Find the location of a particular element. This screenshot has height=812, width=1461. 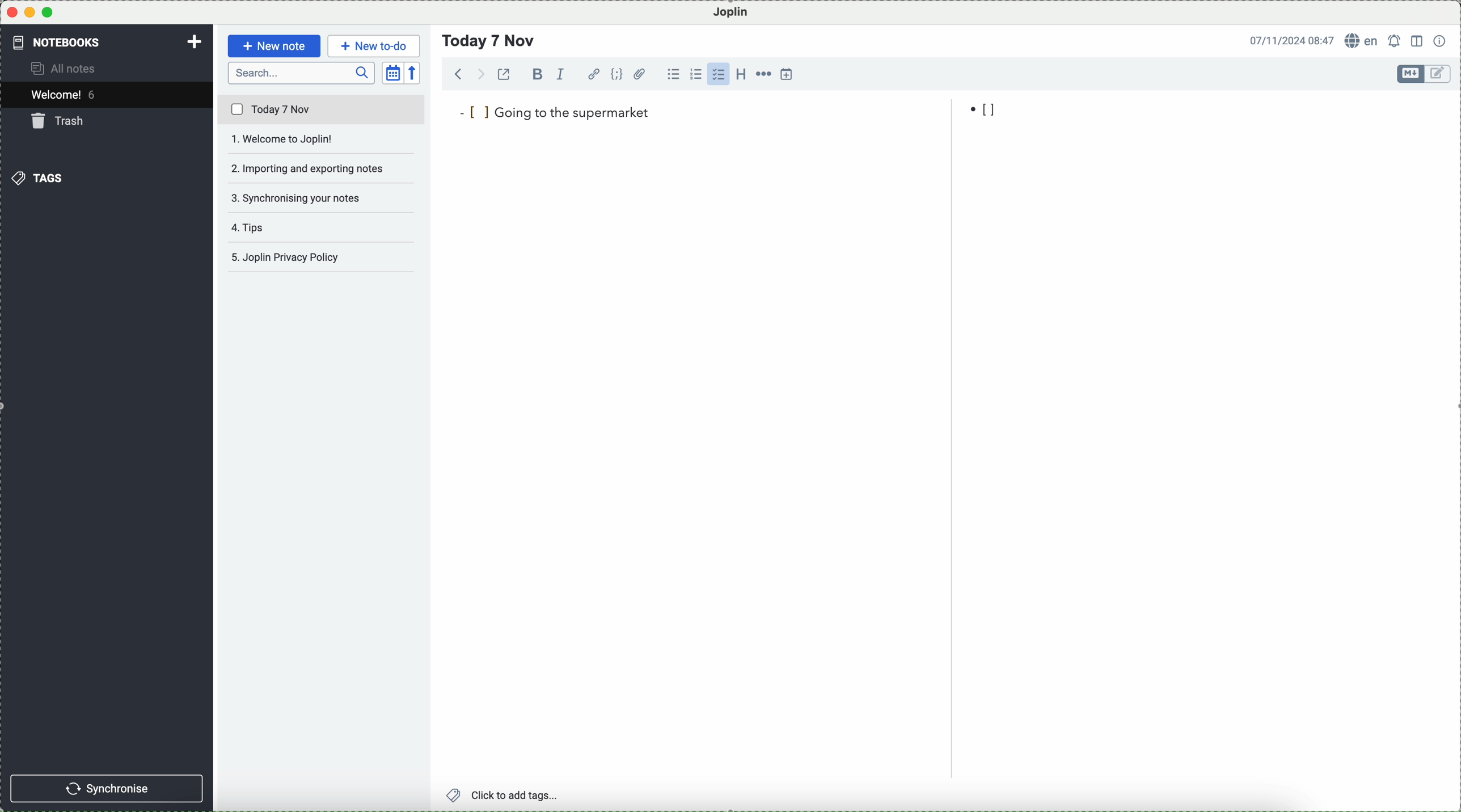

bulleted list is located at coordinates (673, 74).